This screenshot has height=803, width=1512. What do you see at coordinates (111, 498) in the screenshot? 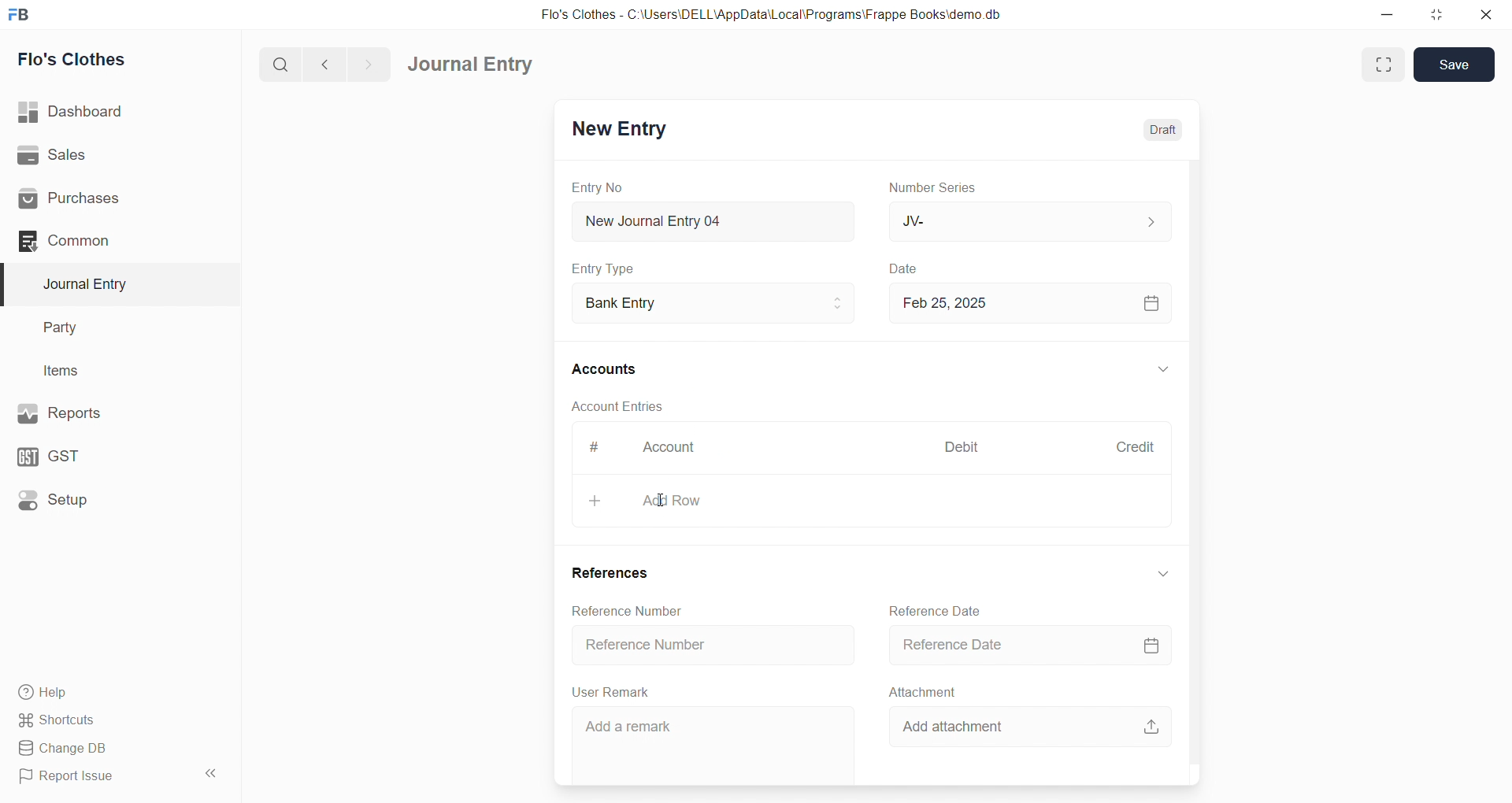
I see `Setup` at bounding box center [111, 498].